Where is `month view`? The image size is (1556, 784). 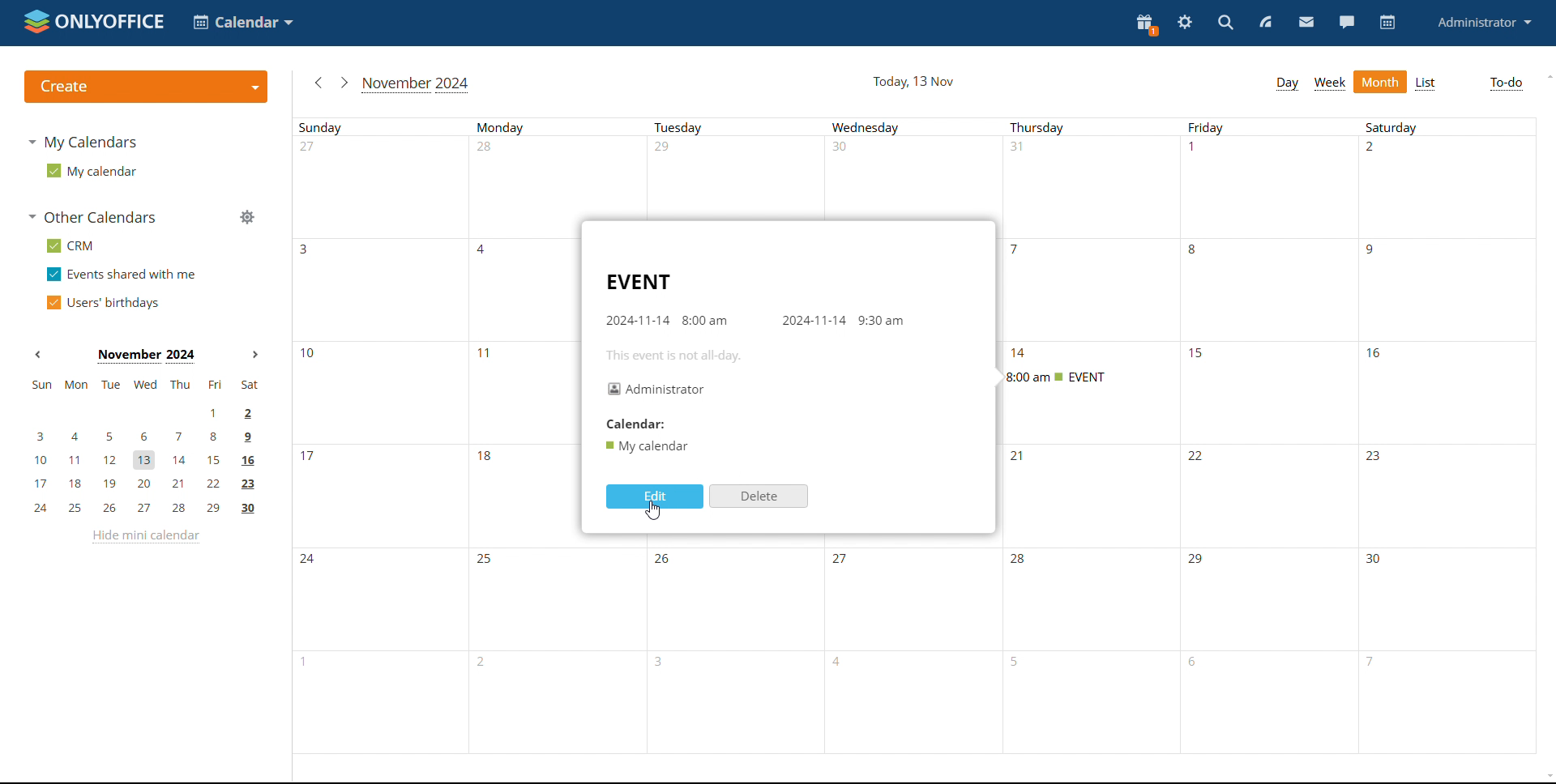 month view is located at coordinates (1380, 82).